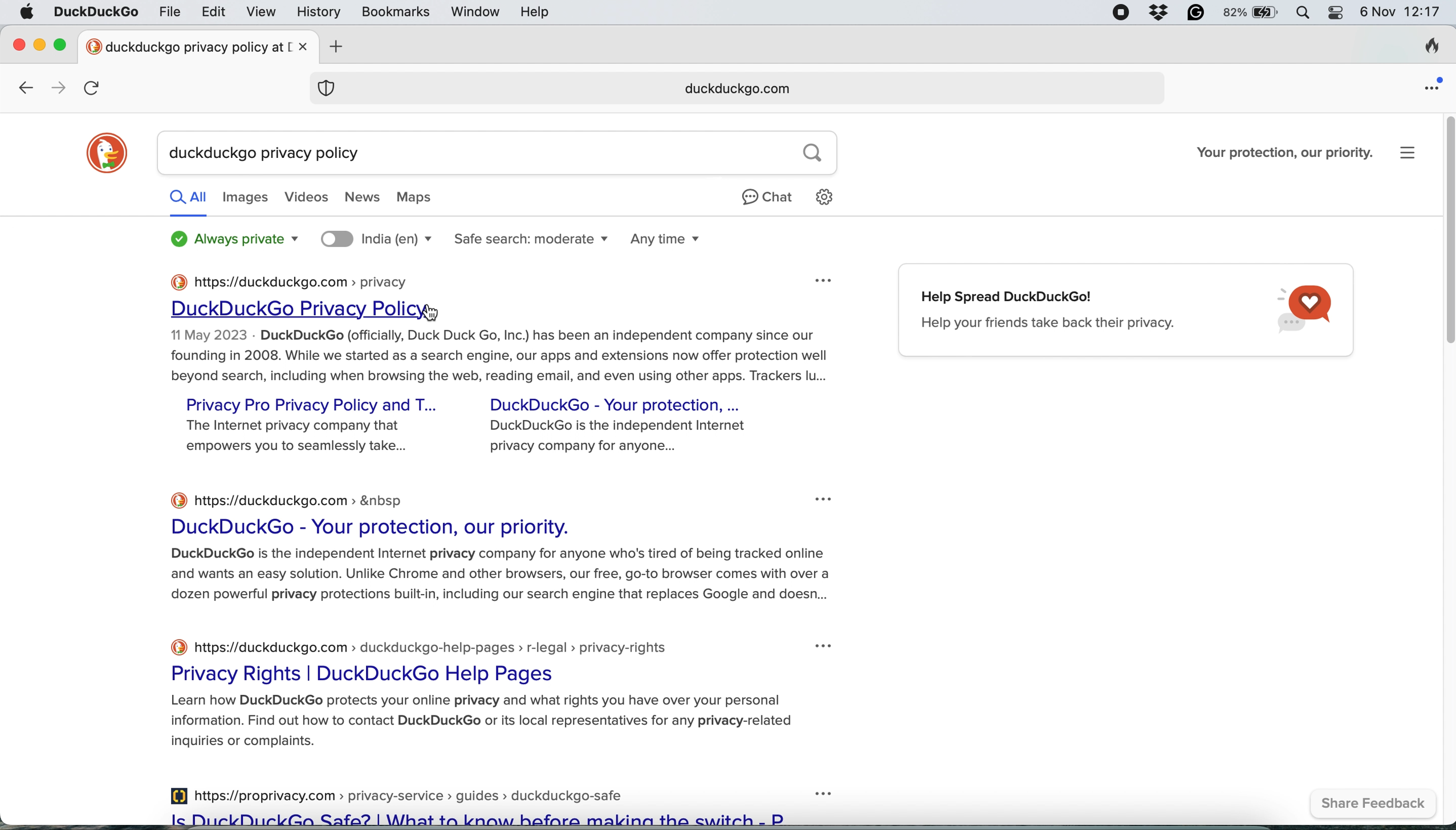 This screenshot has height=830, width=1456. What do you see at coordinates (177, 46) in the screenshot?
I see `new tab` at bounding box center [177, 46].